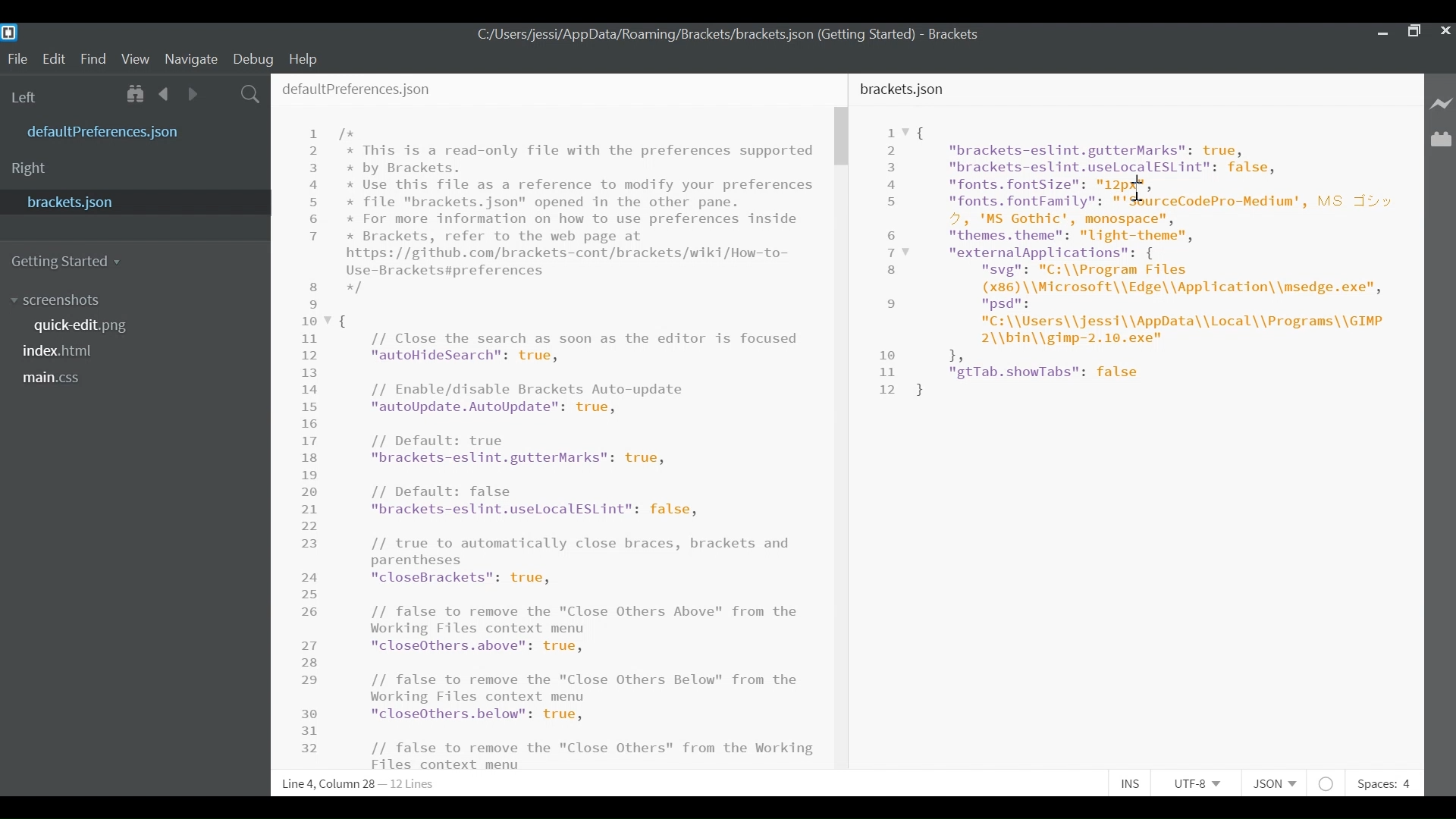  What do you see at coordinates (140, 130) in the screenshot?
I see `defaultPreference.json` at bounding box center [140, 130].